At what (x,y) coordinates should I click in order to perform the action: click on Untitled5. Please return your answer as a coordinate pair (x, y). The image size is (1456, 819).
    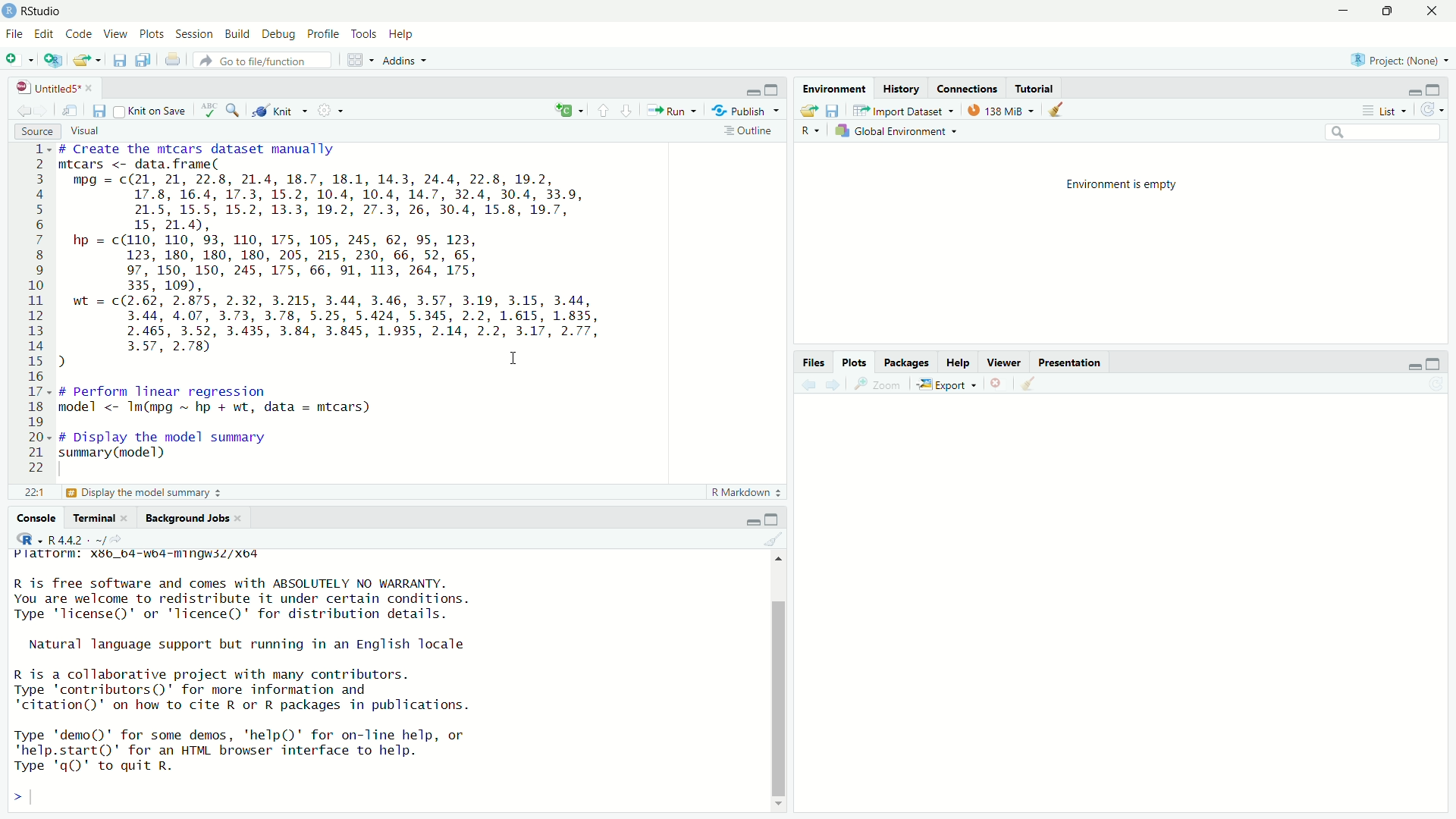
    Looking at the image, I should click on (49, 88).